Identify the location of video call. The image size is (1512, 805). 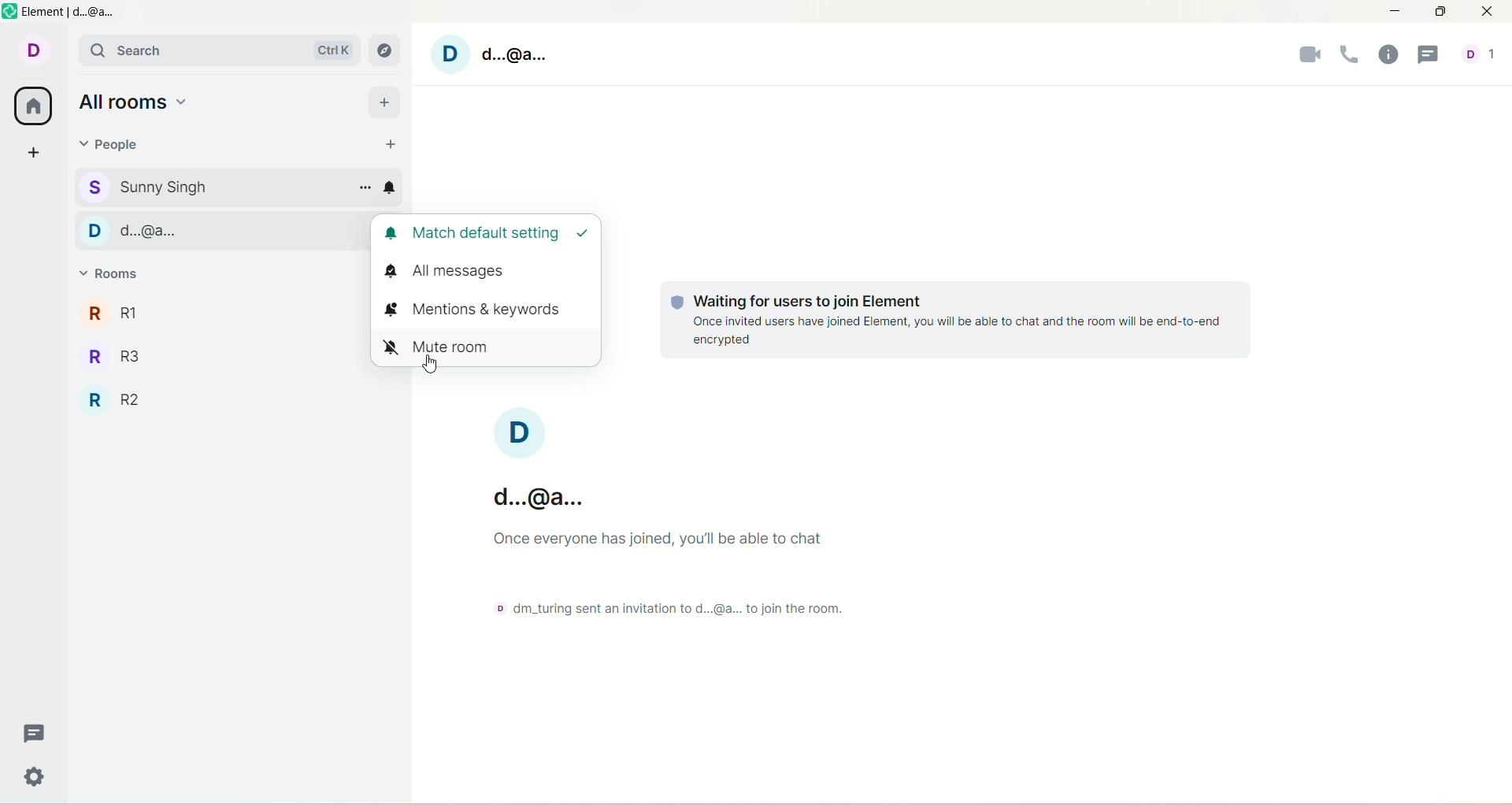
(1306, 58).